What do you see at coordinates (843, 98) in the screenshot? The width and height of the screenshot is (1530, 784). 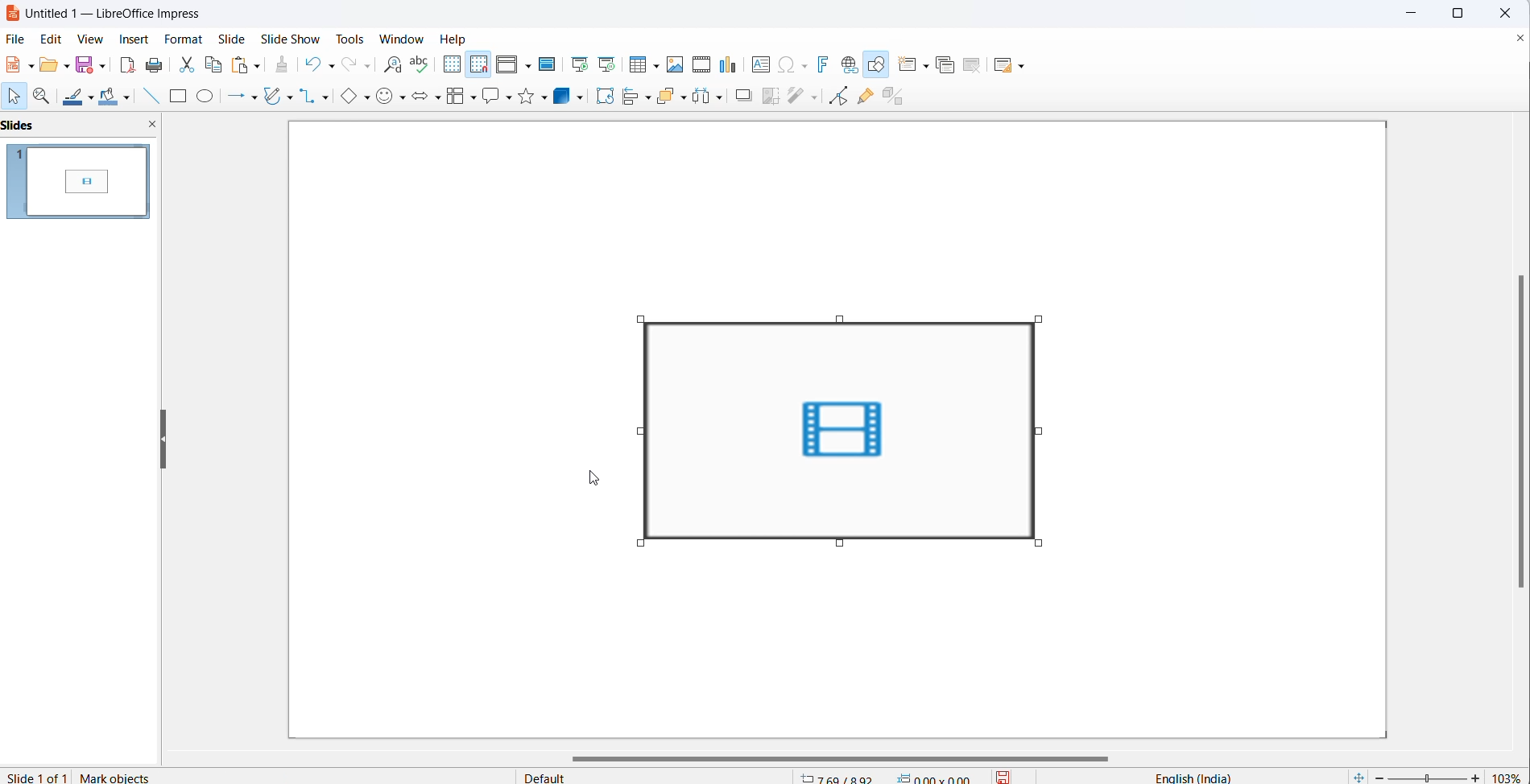 I see `toggle endpoint edit mode` at bounding box center [843, 98].